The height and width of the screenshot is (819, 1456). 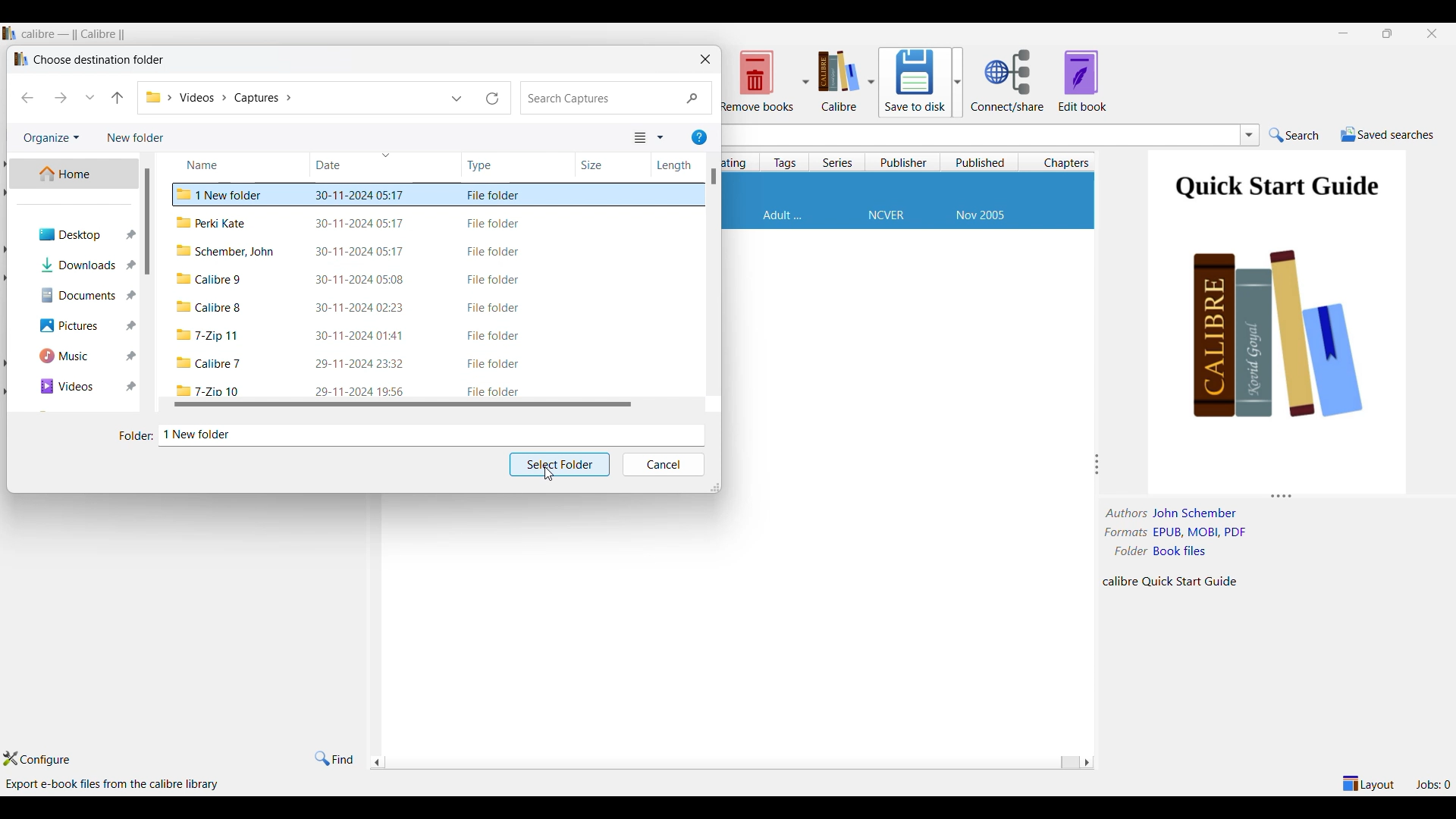 What do you see at coordinates (356, 162) in the screenshot?
I see `Date column, curret sorting` at bounding box center [356, 162].